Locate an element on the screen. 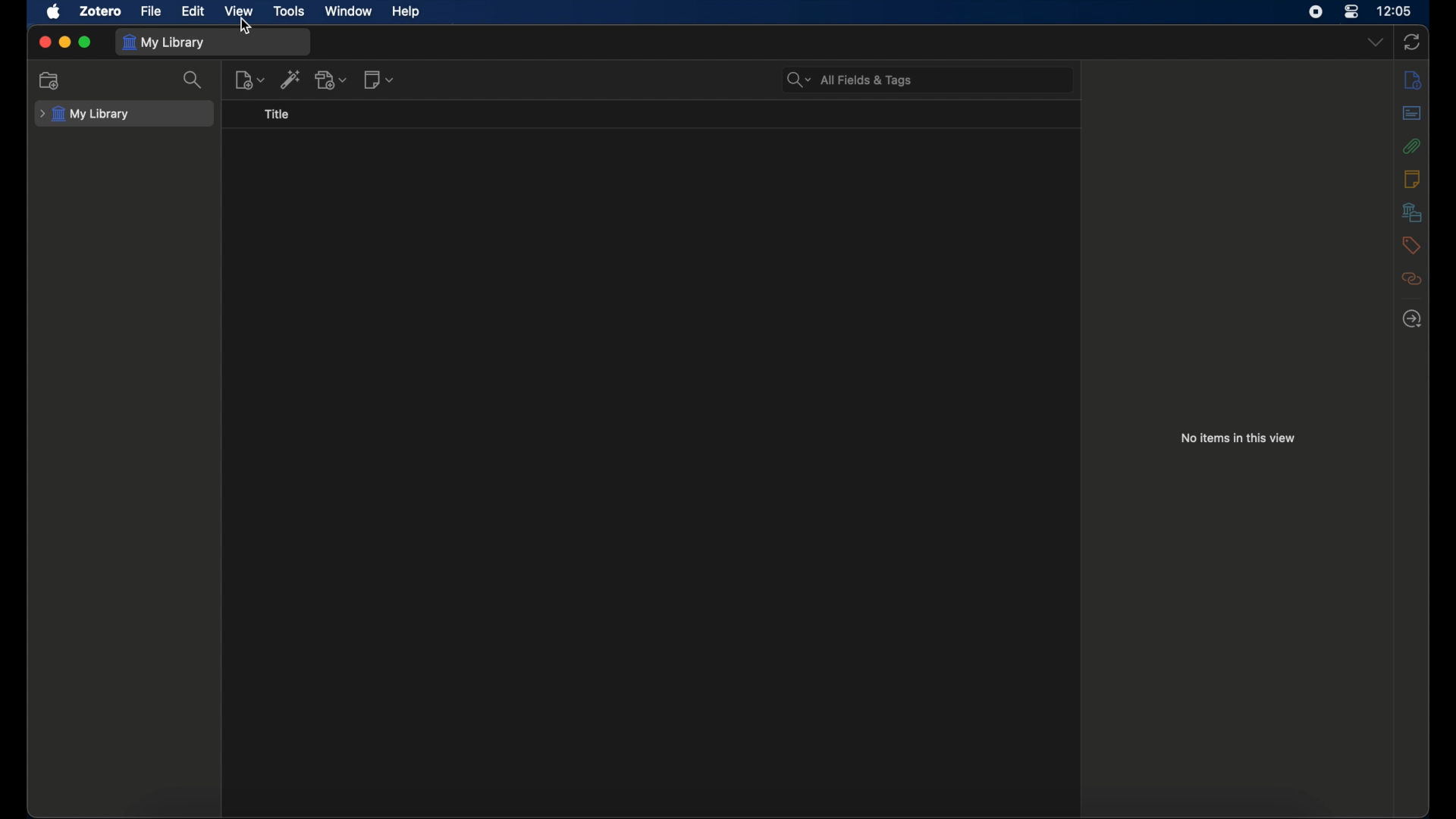 This screenshot has width=1456, height=819. title is located at coordinates (276, 114).